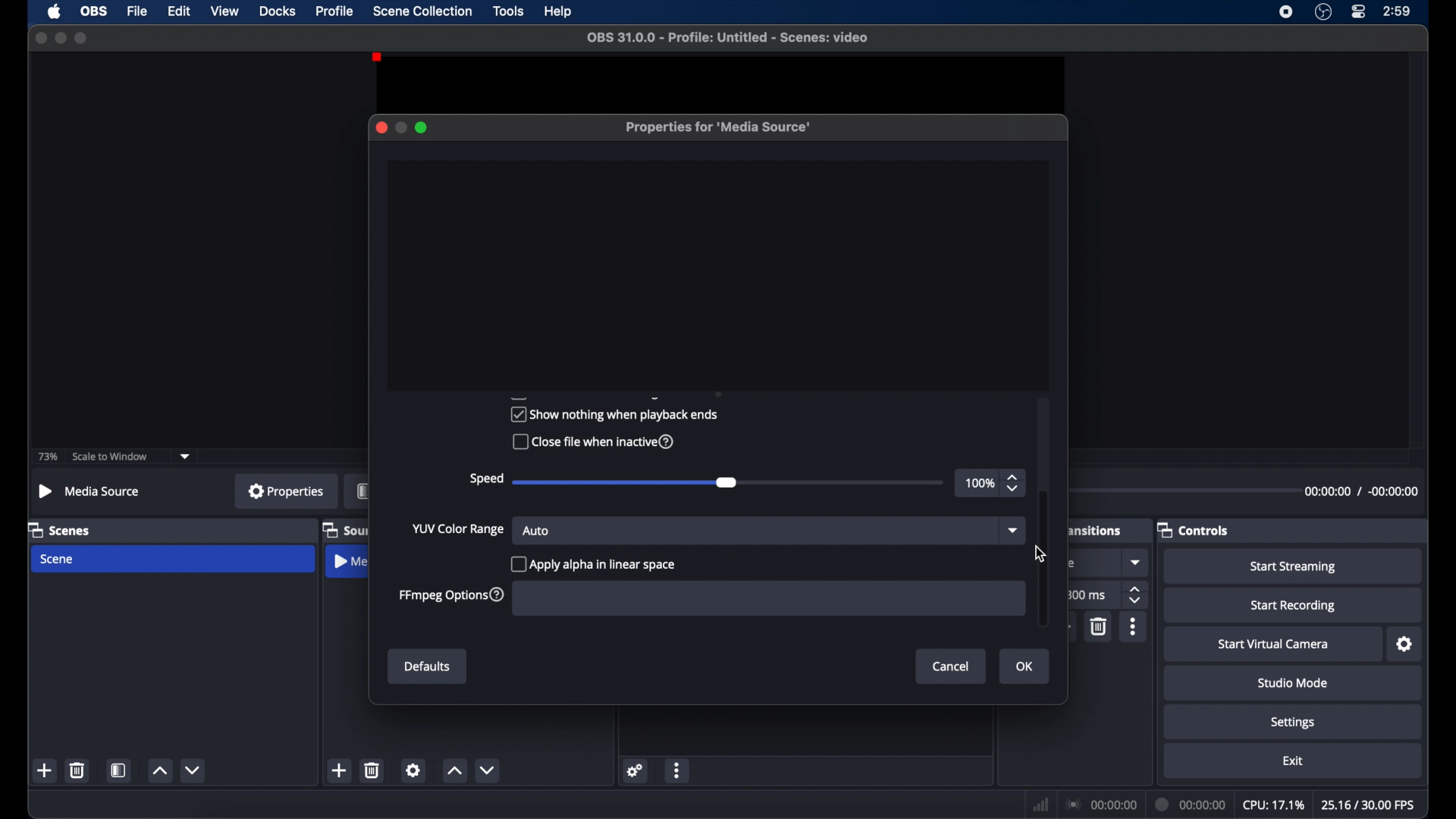 This screenshot has width=1456, height=819. I want to click on close, so click(40, 38).